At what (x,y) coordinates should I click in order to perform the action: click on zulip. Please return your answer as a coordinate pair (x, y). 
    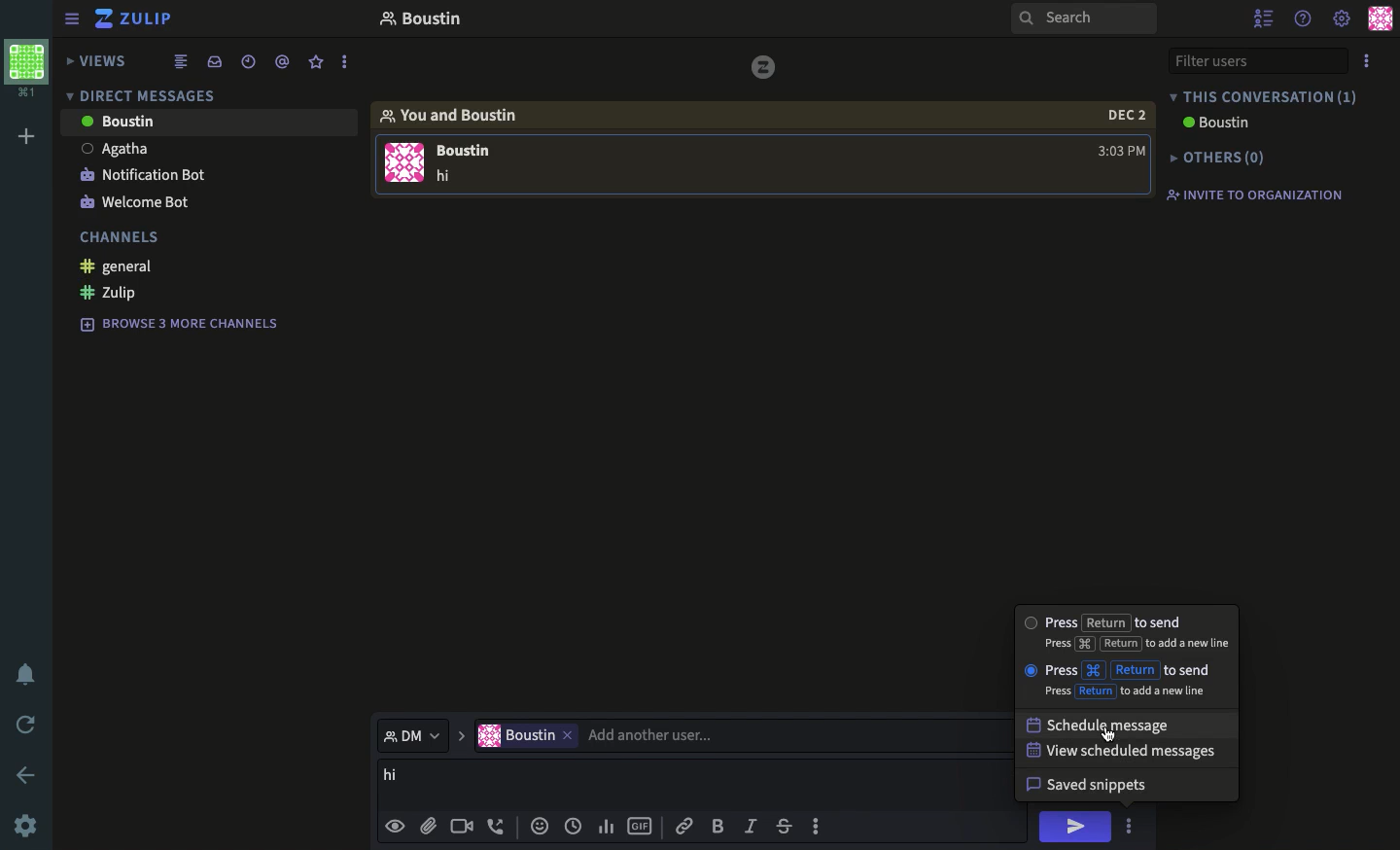
    Looking at the image, I should click on (114, 292).